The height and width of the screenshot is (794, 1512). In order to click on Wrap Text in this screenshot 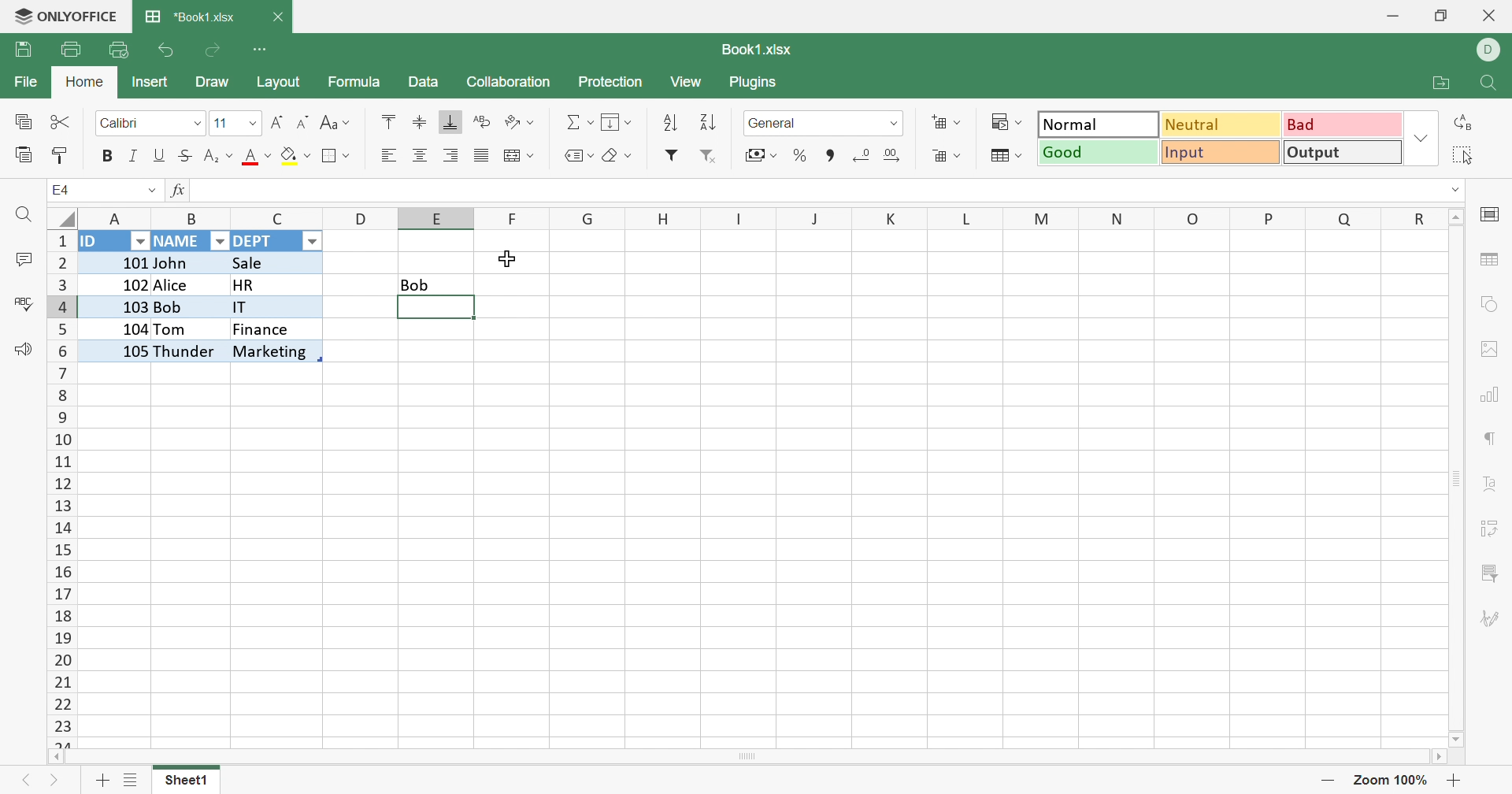, I will do `click(484, 121)`.